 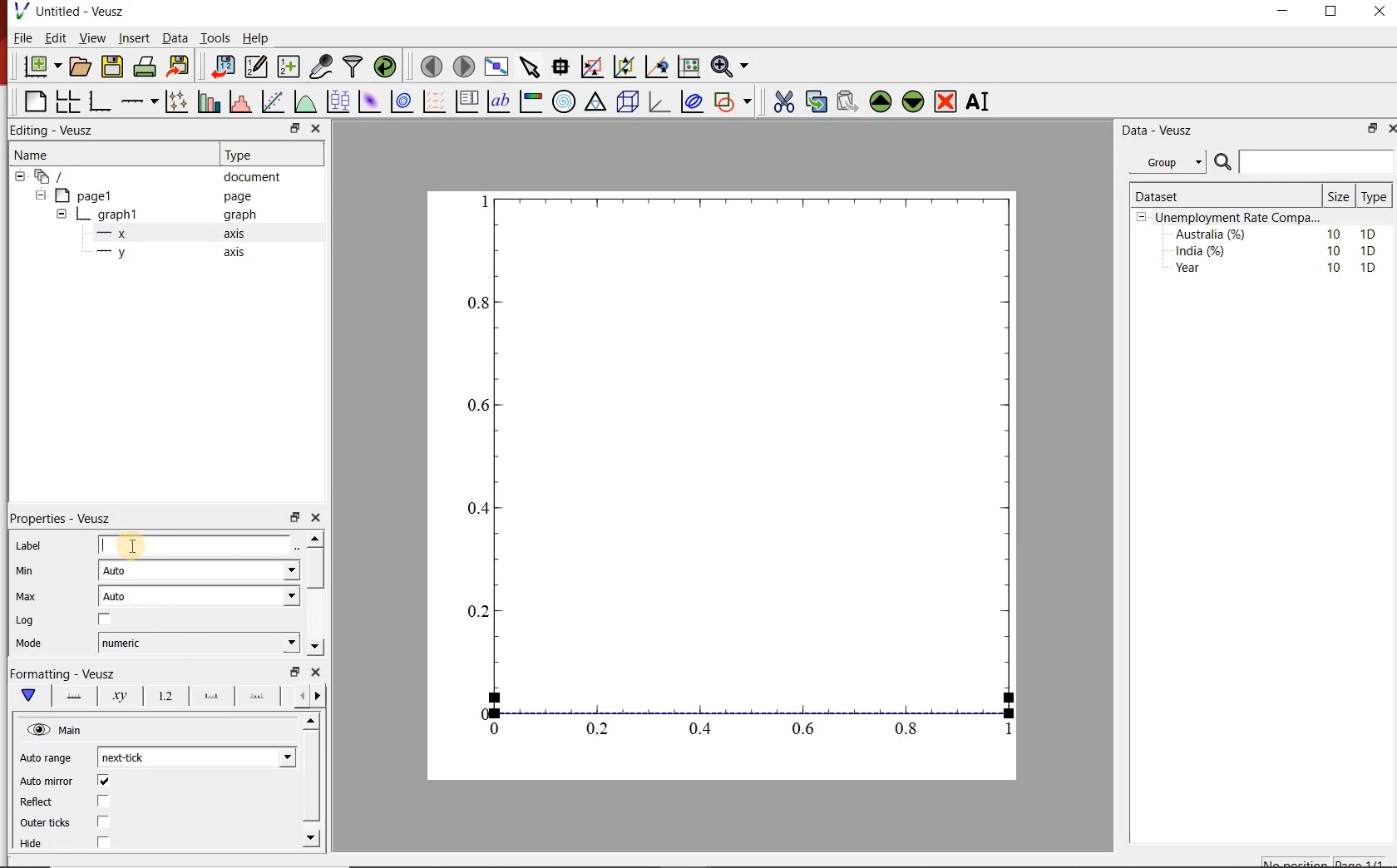 I want to click on minimise, so click(x=297, y=128).